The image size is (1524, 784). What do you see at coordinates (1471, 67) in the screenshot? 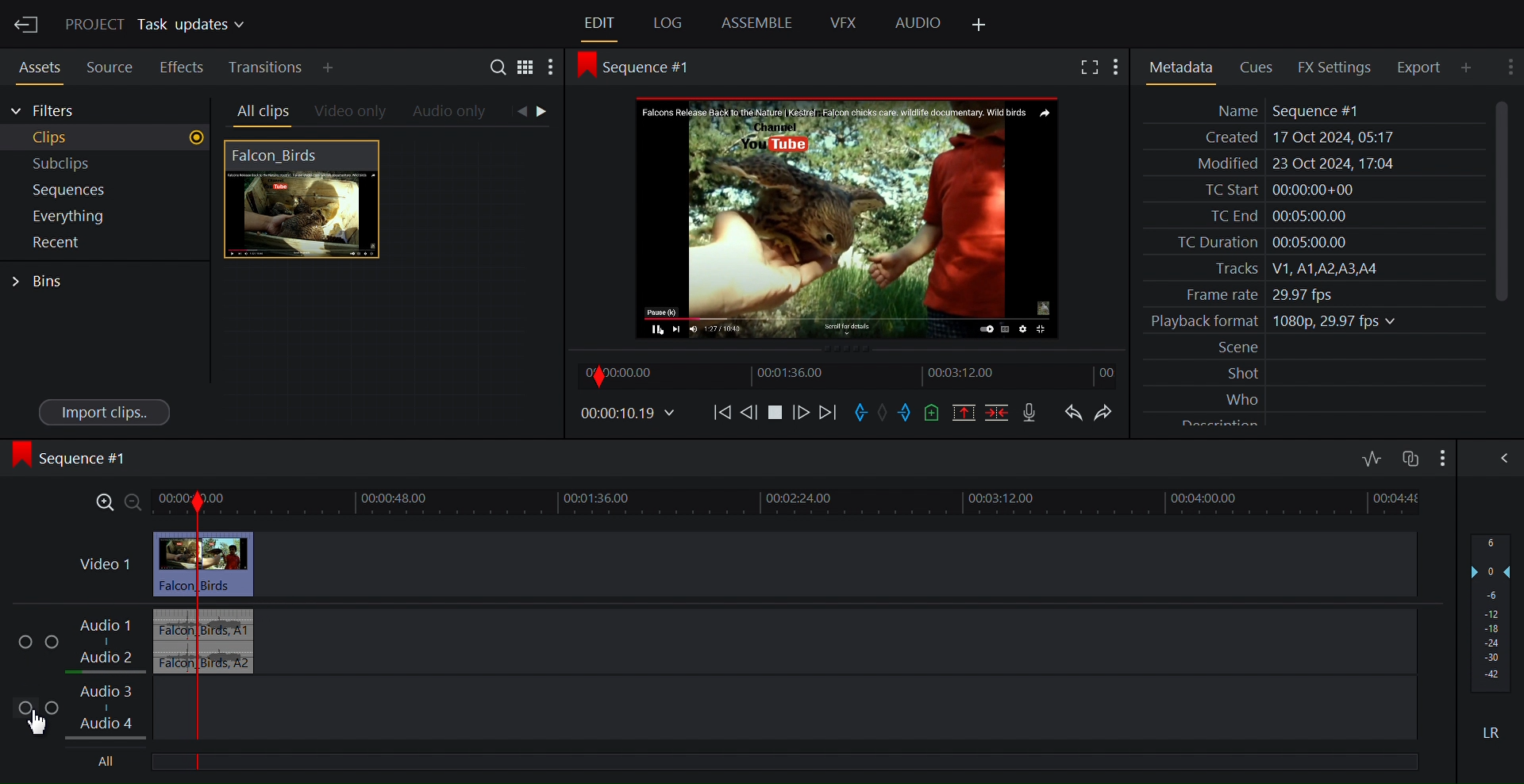
I see `Add Panle` at bounding box center [1471, 67].